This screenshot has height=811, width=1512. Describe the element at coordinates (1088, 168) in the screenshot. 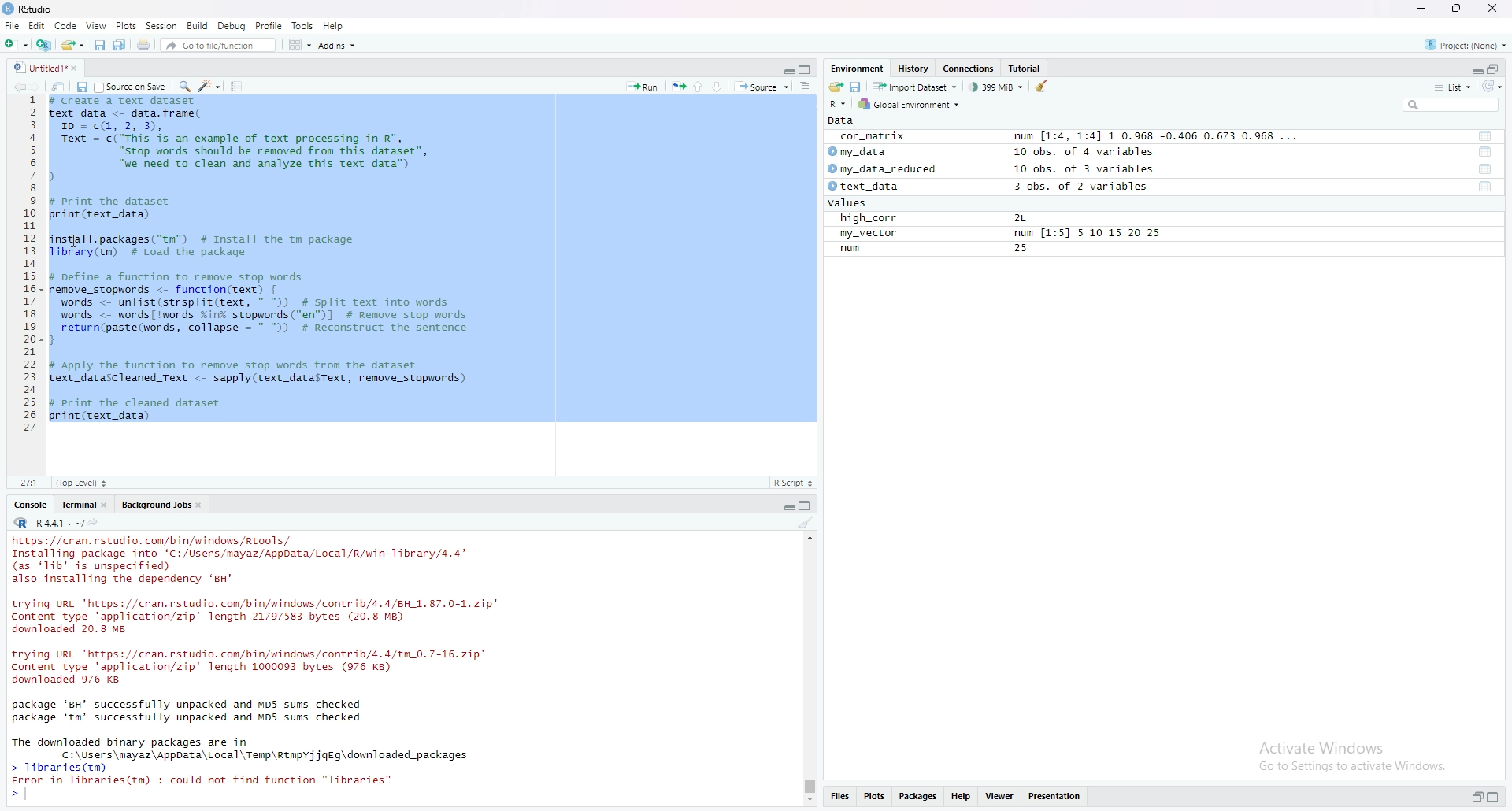

I see `10 obs. of 3 variables` at that location.